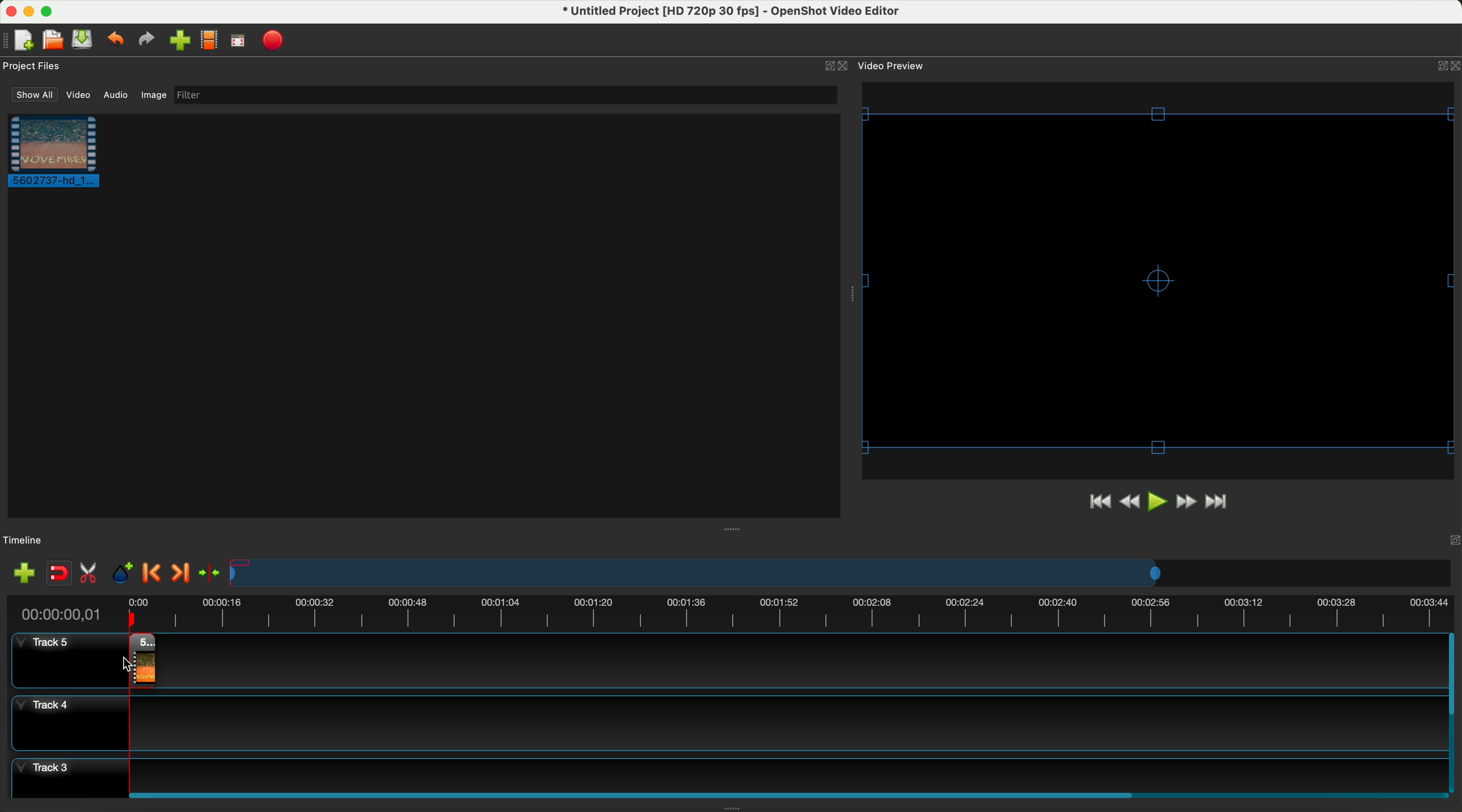 The width and height of the screenshot is (1462, 812). Describe the element at coordinates (237, 41) in the screenshot. I see `fullscreen` at that location.